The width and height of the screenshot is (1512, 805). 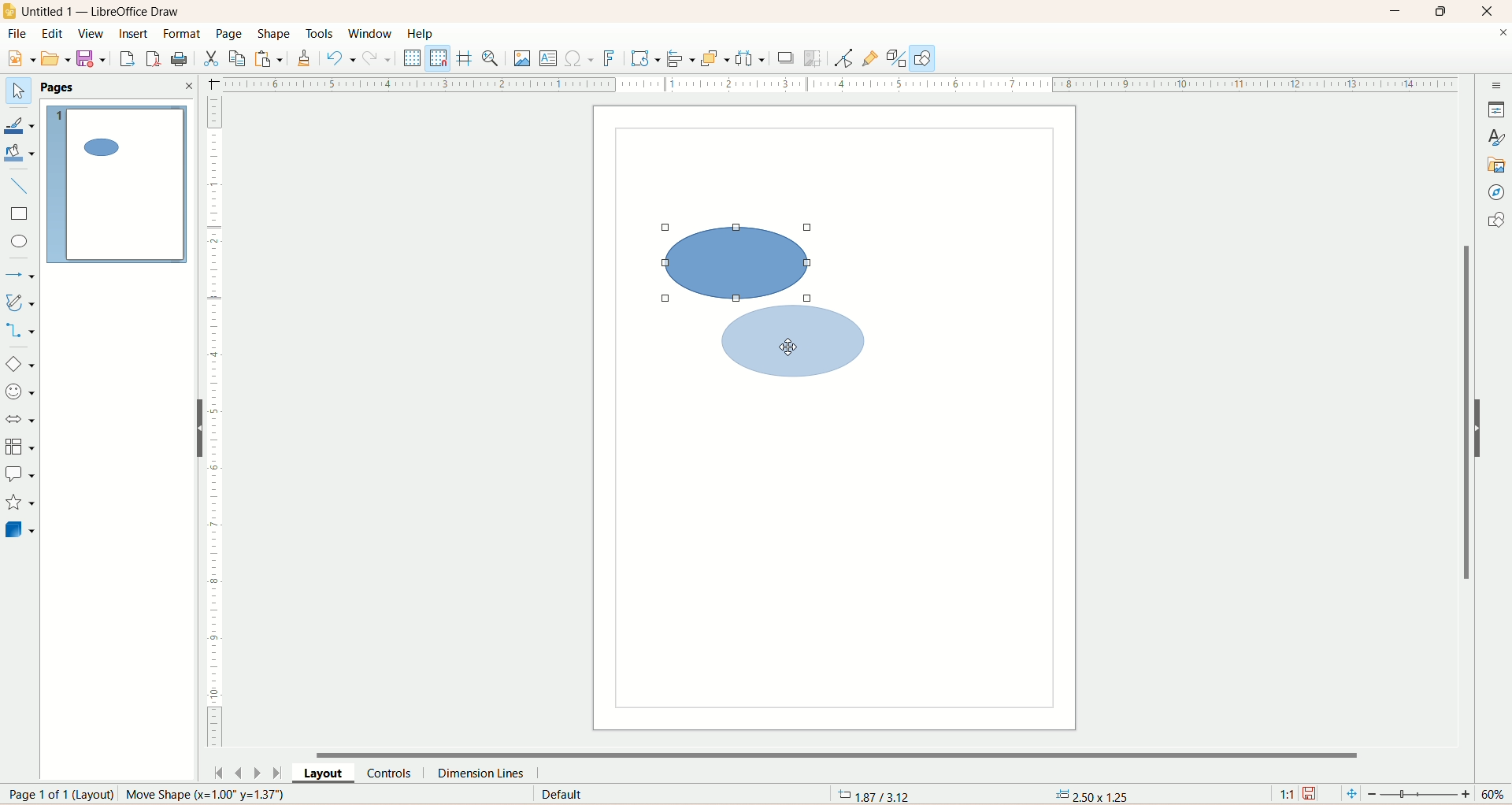 I want to click on special character, so click(x=578, y=59).